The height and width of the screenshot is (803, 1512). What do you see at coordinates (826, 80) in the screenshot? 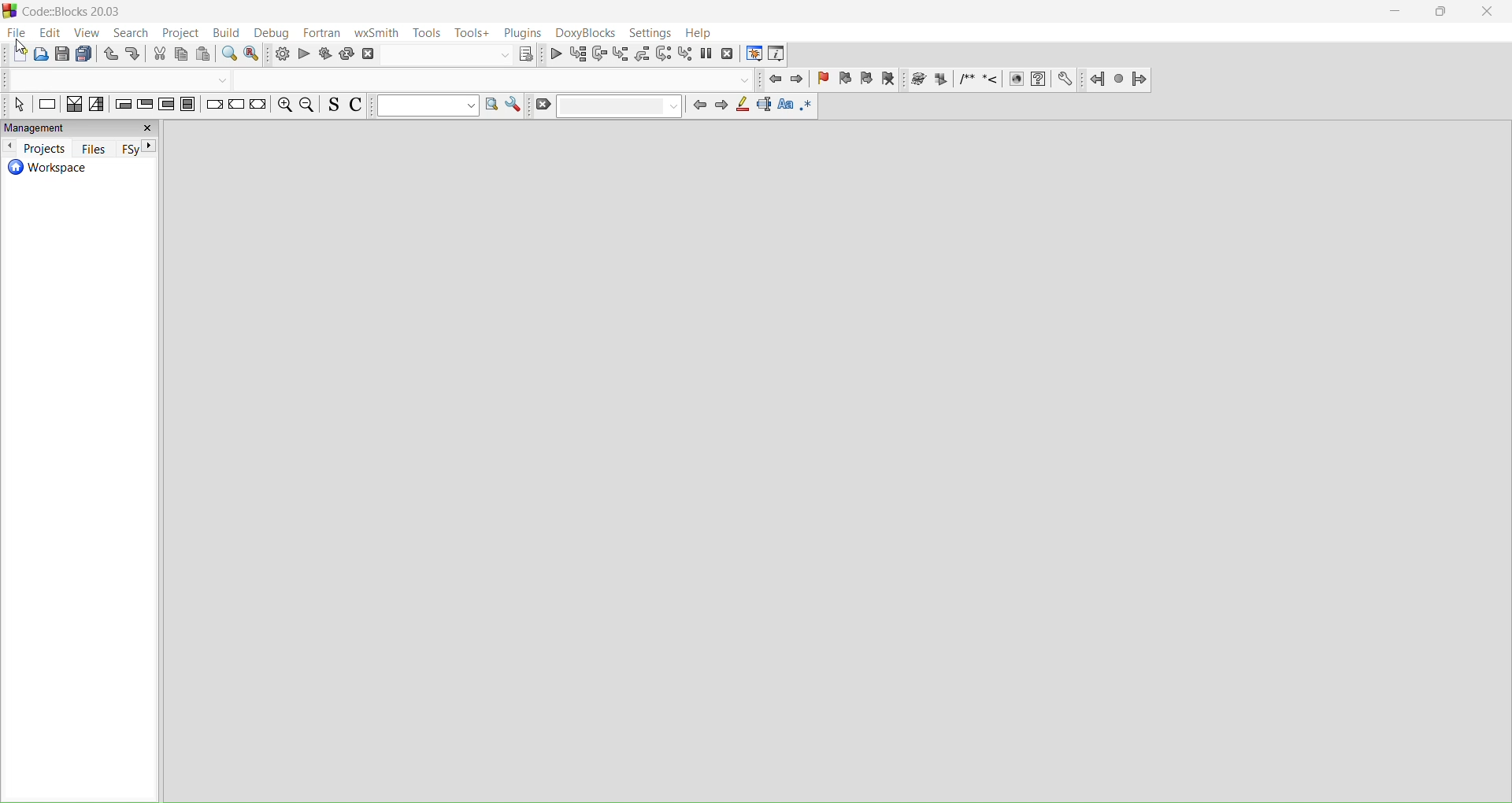
I see `toggle bookmark` at bounding box center [826, 80].